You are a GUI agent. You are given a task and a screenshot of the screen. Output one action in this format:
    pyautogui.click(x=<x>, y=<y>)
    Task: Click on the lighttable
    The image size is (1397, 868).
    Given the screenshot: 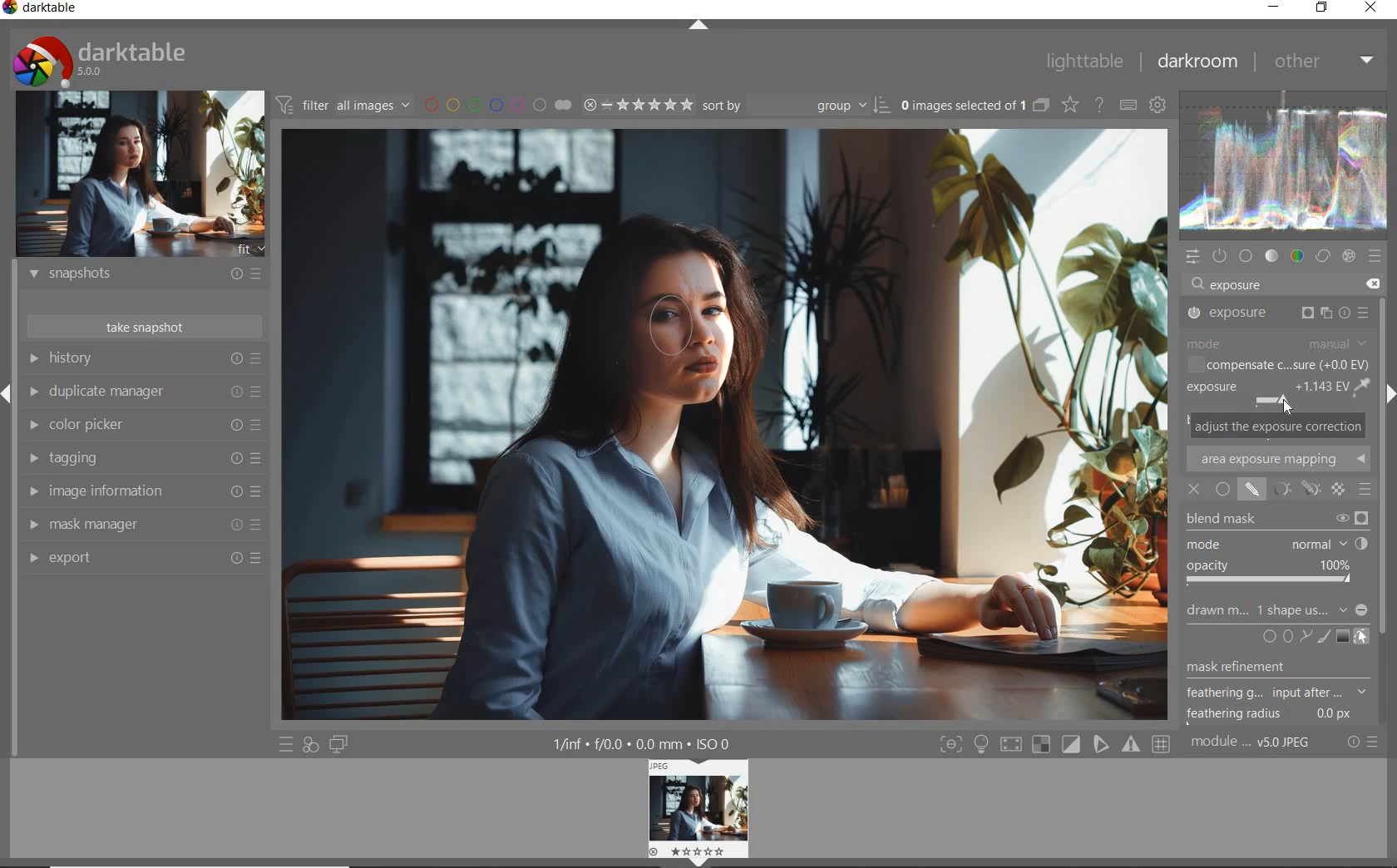 What is the action you would take?
    pyautogui.click(x=1085, y=60)
    